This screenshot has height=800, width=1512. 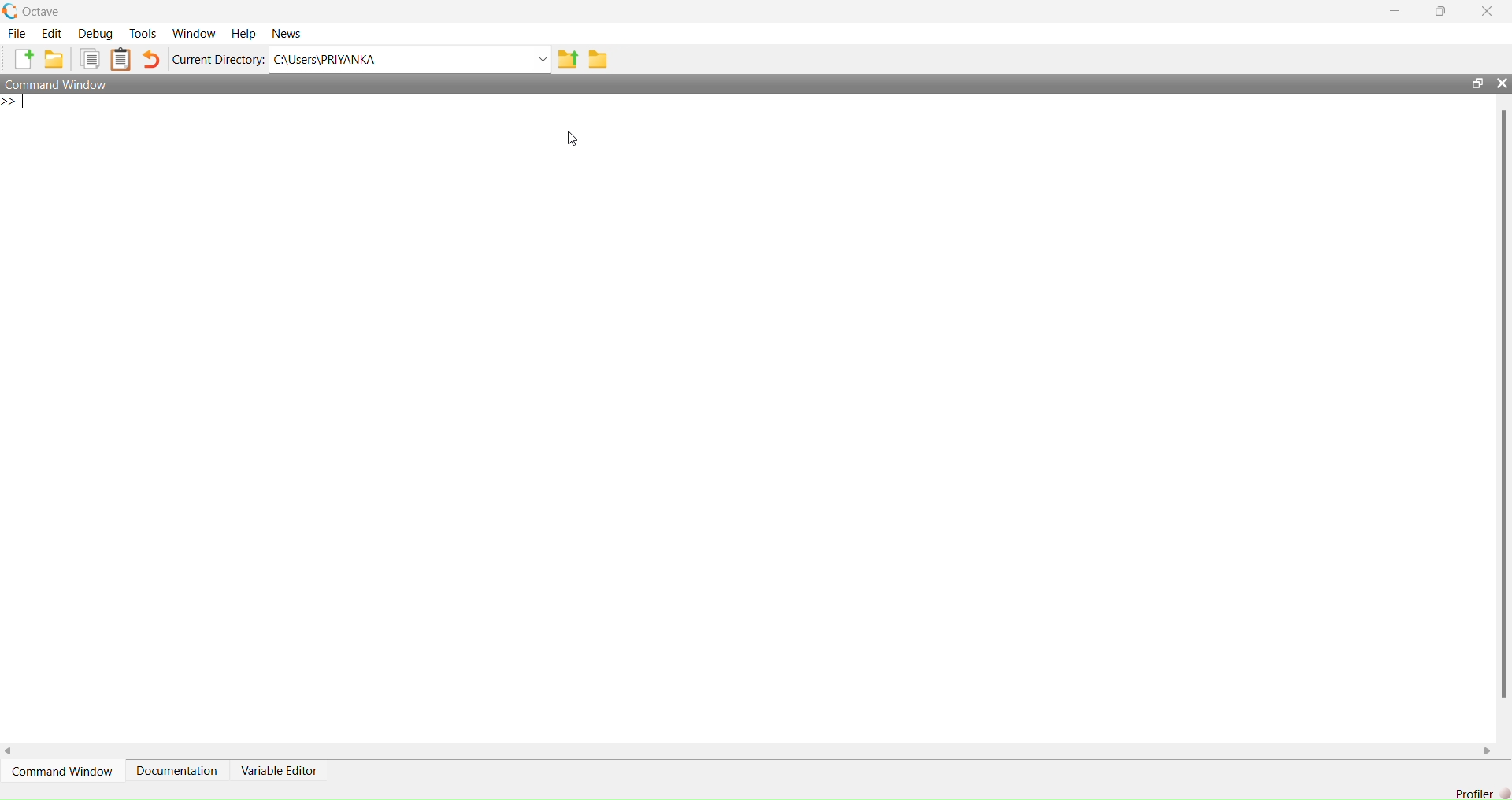 What do you see at coordinates (9, 751) in the screenshot?
I see `scroll left` at bounding box center [9, 751].